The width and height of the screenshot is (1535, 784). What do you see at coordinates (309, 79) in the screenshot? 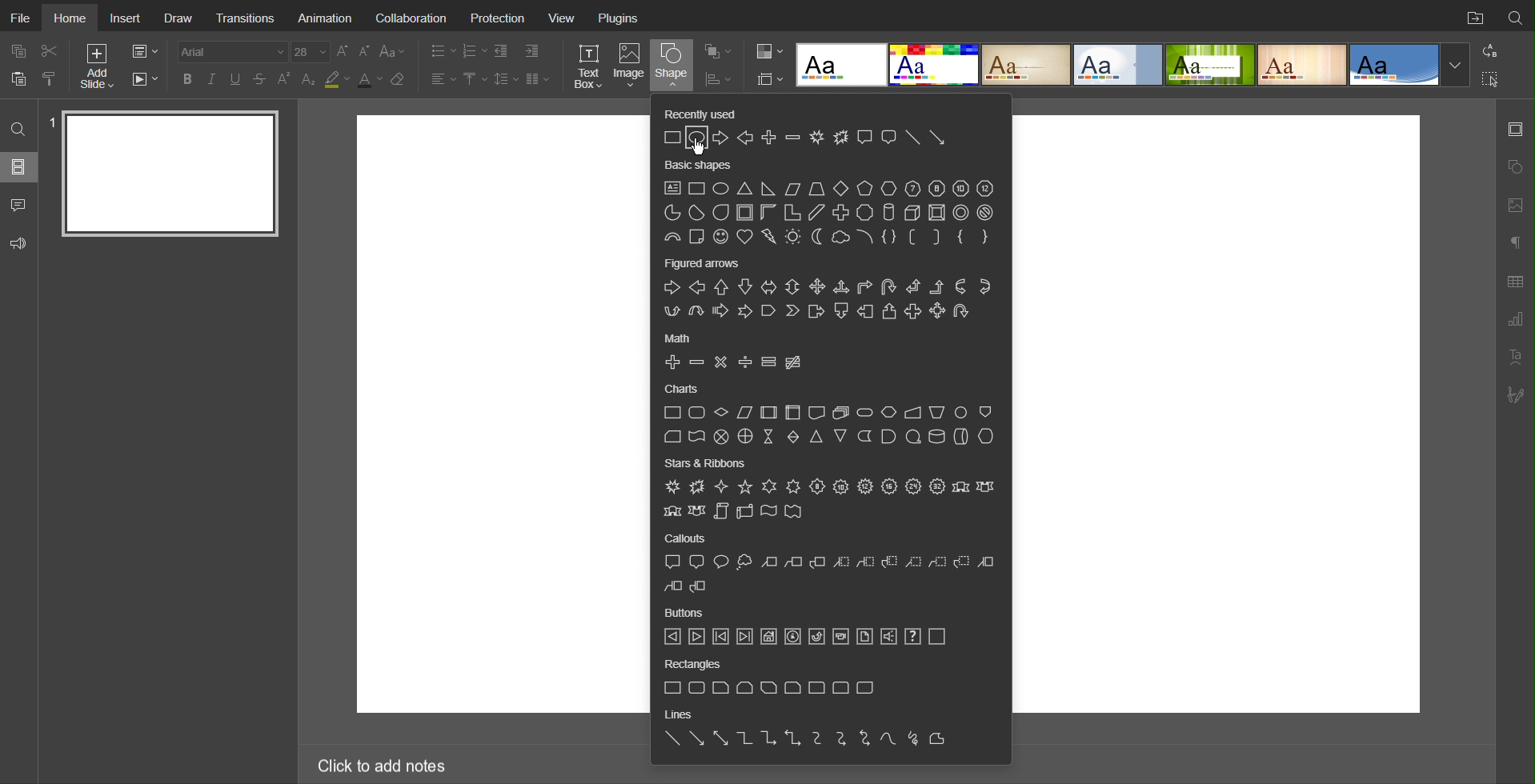
I see `Subscript` at bounding box center [309, 79].